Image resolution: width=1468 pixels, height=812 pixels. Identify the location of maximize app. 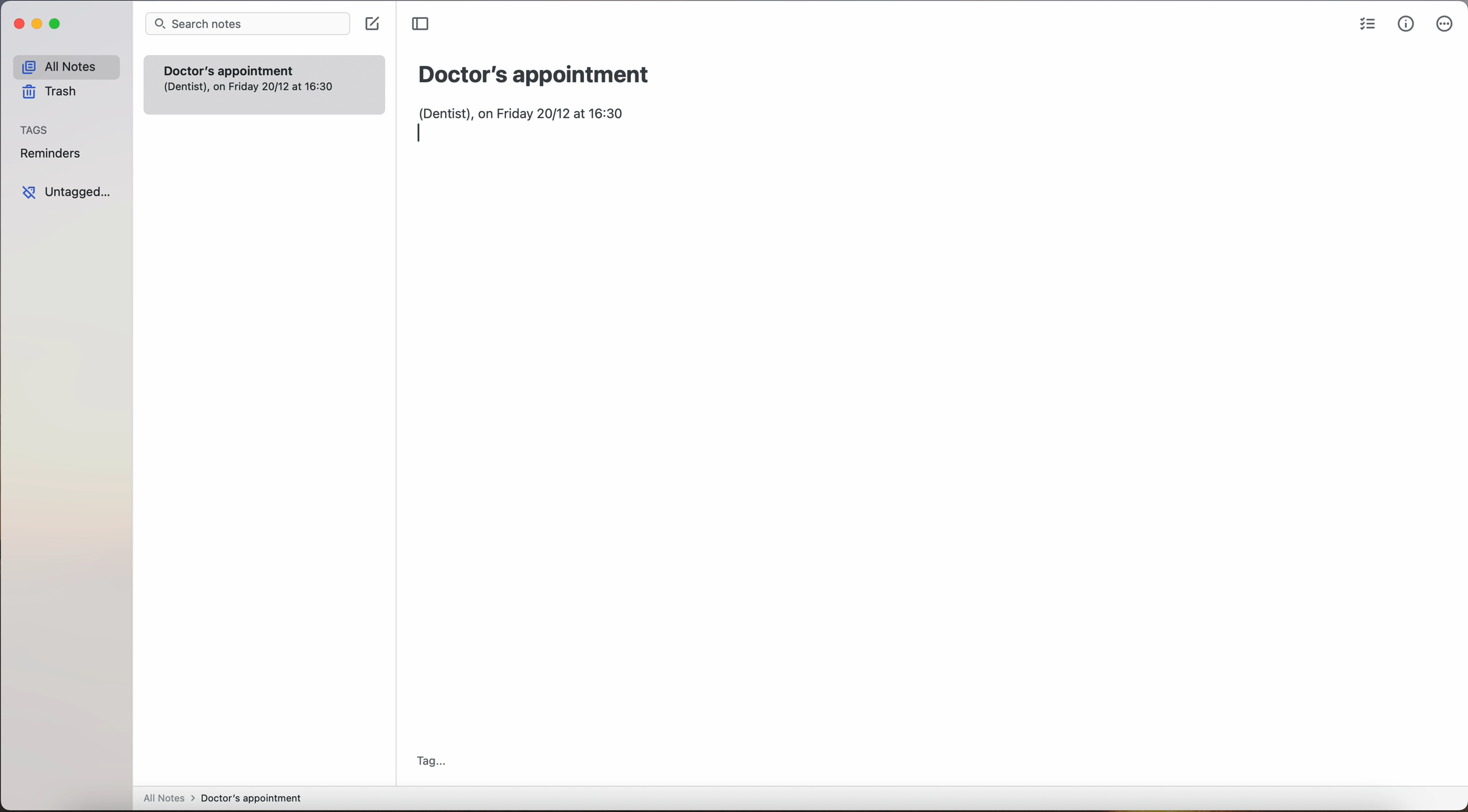
(58, 24).